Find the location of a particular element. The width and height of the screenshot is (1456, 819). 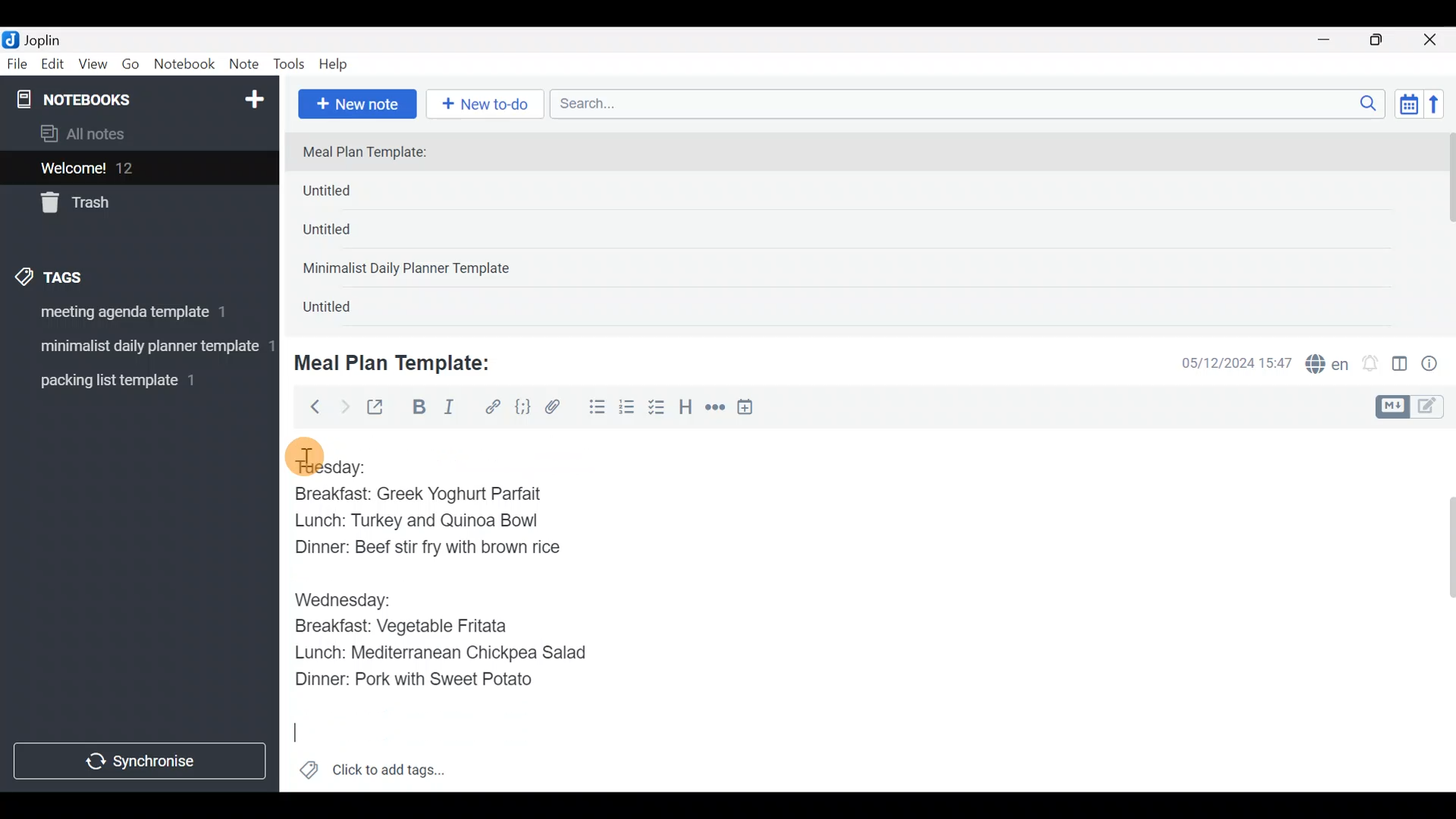

Untitled is located at coordinates (347, 234).